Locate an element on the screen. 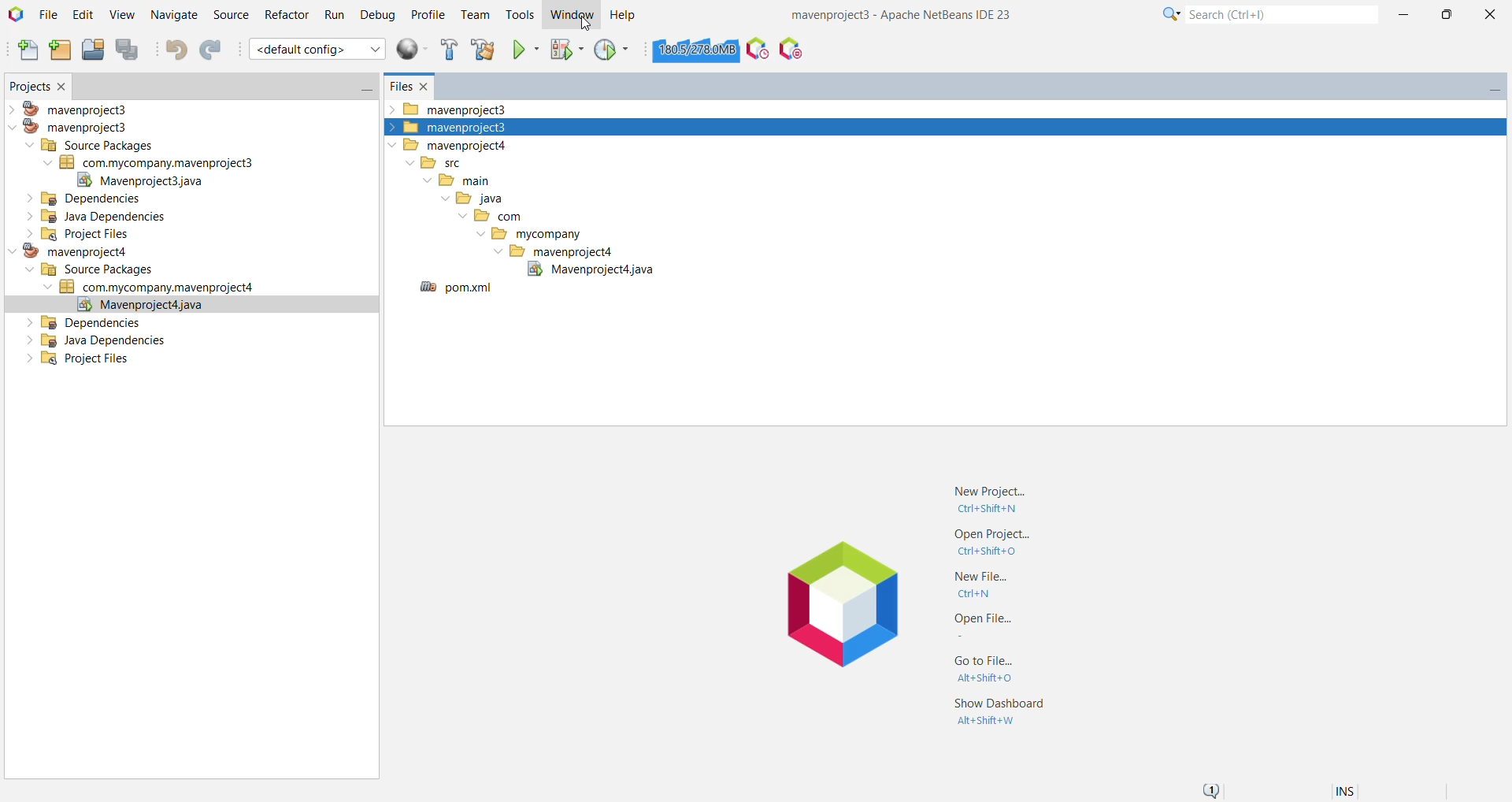  New File is located at coordinates (984, 585).